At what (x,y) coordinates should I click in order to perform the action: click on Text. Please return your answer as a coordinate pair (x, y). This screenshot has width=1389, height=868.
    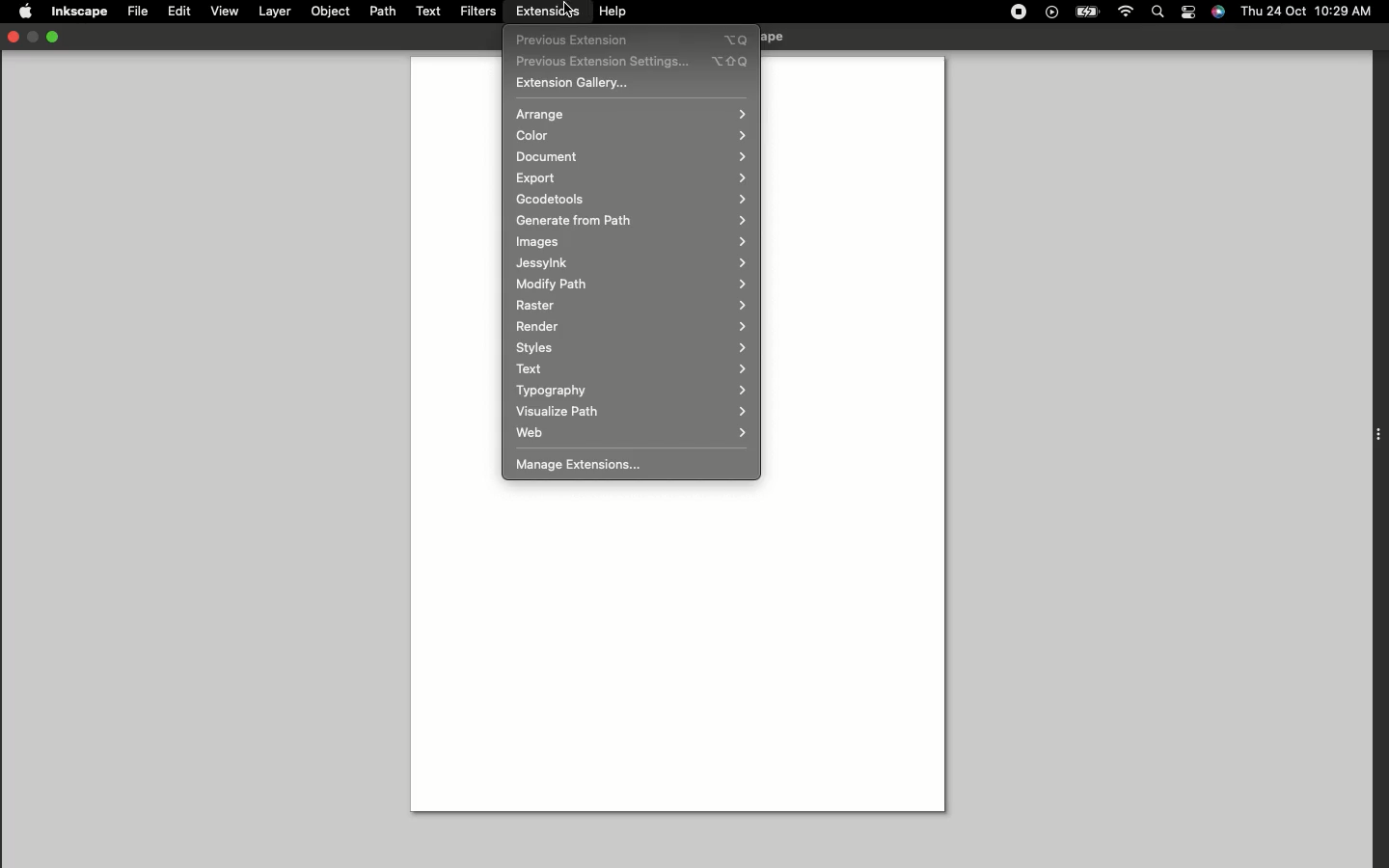
    Looking at the image, I should click on (430, 12).